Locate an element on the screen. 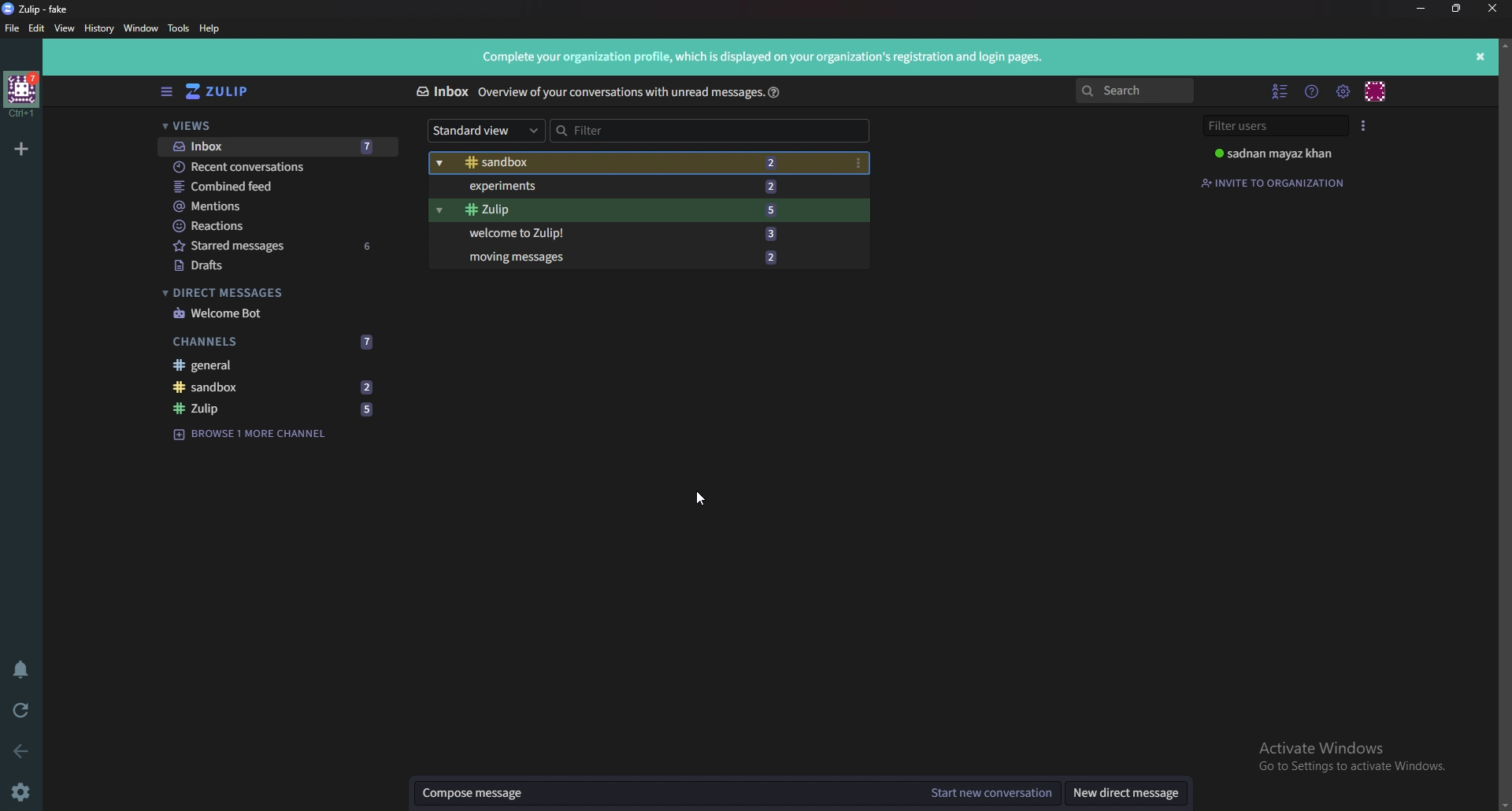  Complete your organization profile, which is displayed on your organization's registration and login pages. is located at coordinates (768, 56).